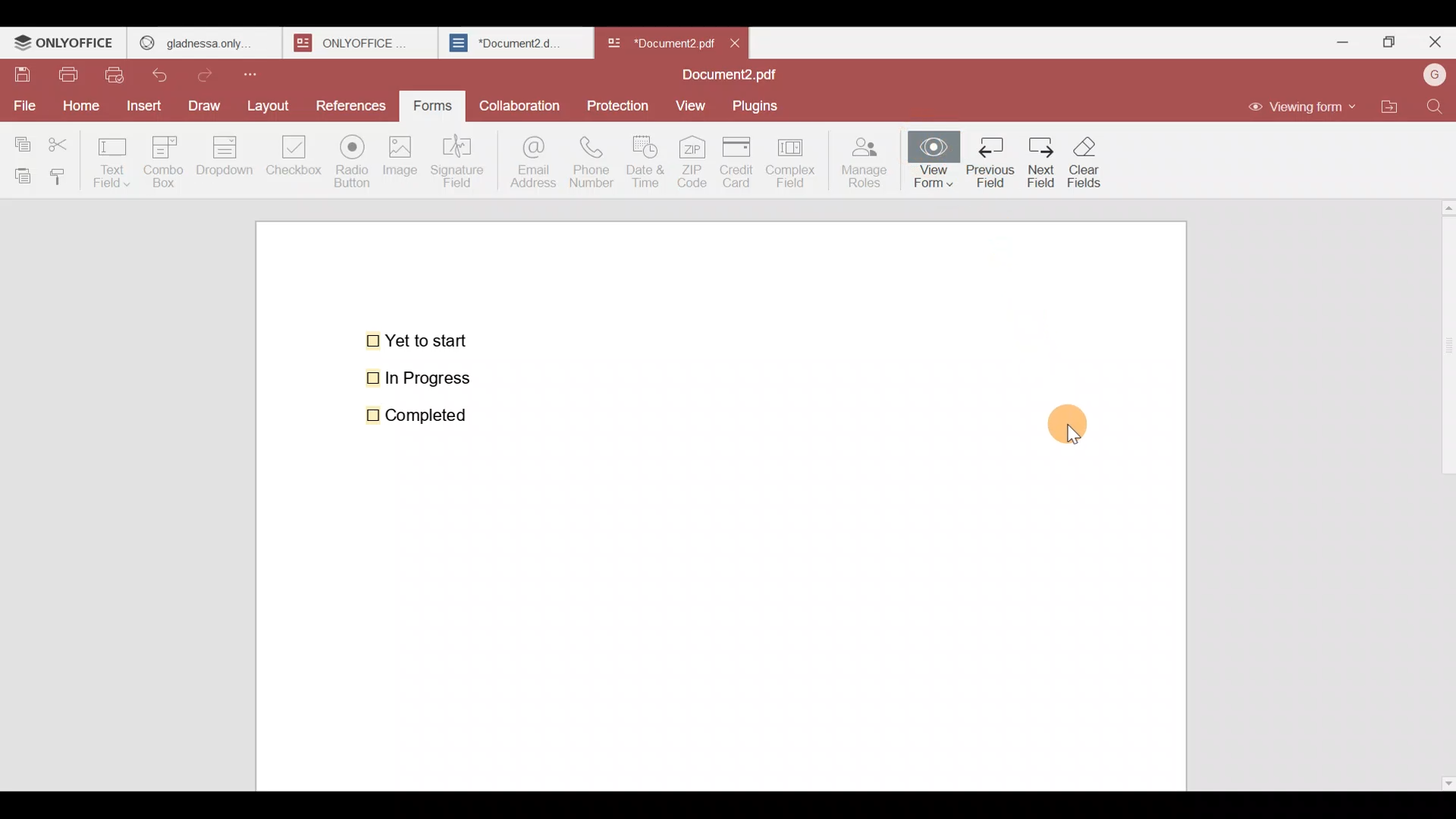 The width and height of the screenshot is (1456, 819). What do you see at coordinates (355, 42) in the screenshot?
I see `onlyoffice` at bounding box center [355, 42].